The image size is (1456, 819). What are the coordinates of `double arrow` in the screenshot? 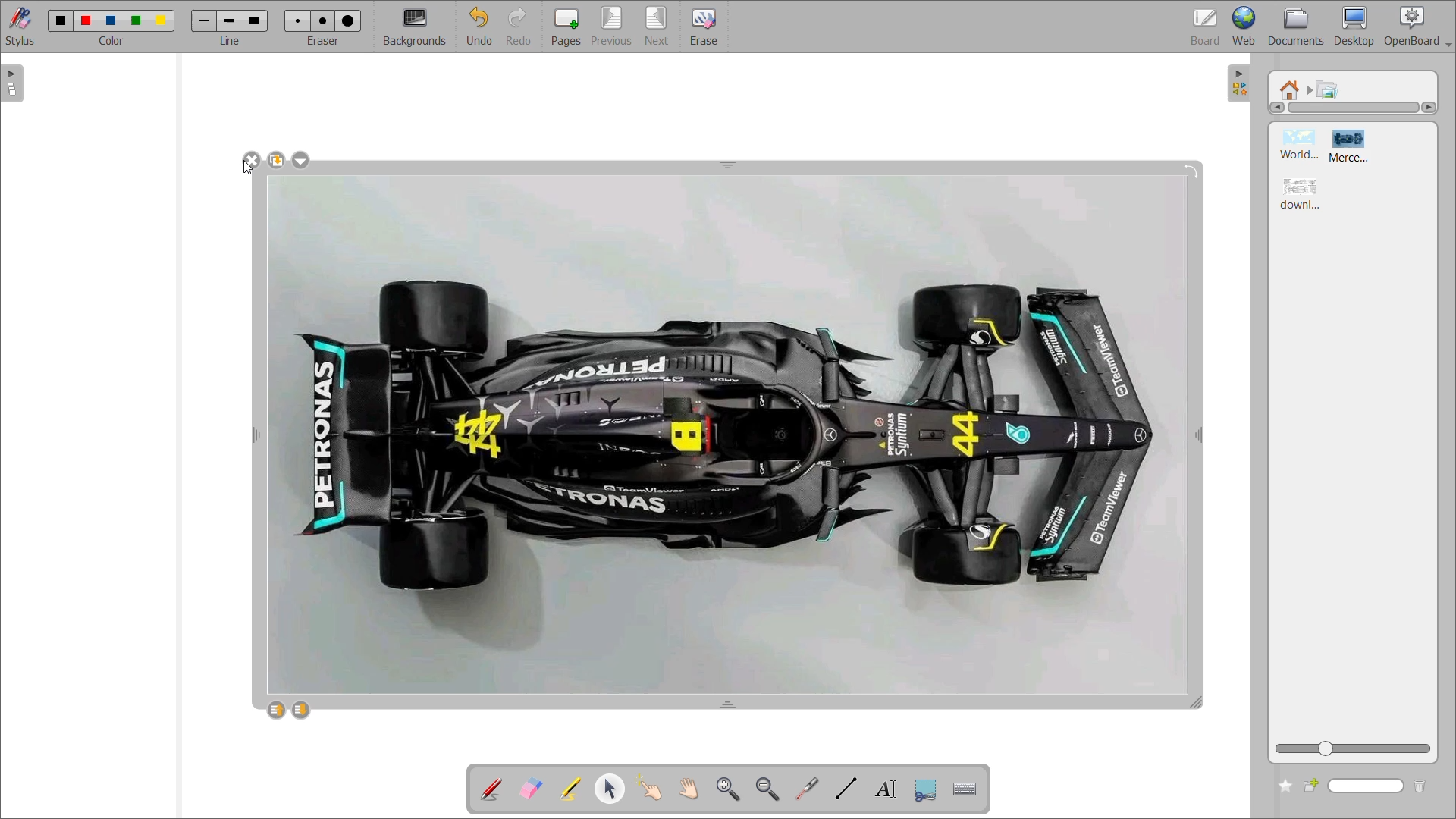 It's located at (1197, 704).